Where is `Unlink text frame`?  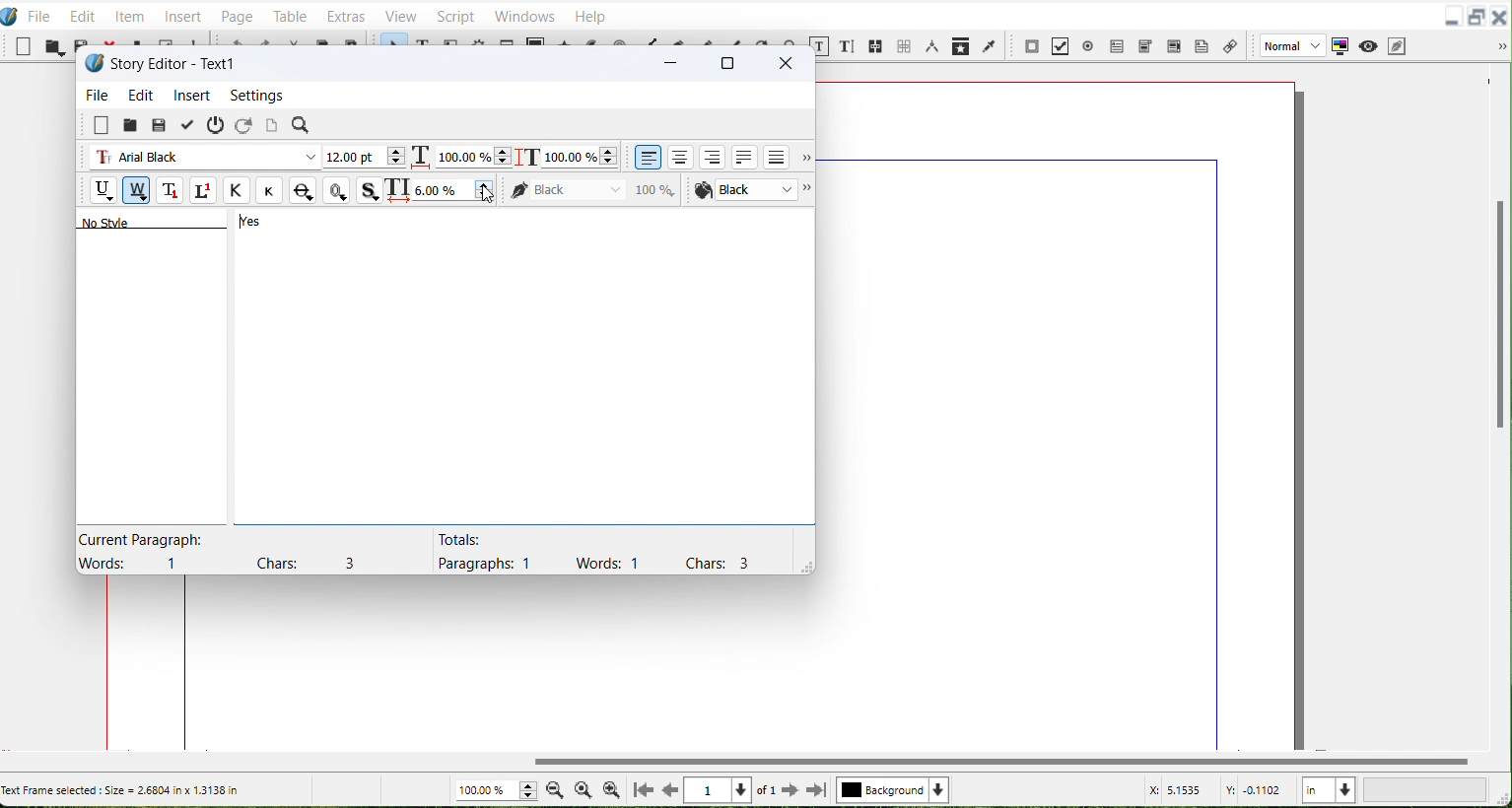 Unlink text frame is located at coordinates (904, 45).